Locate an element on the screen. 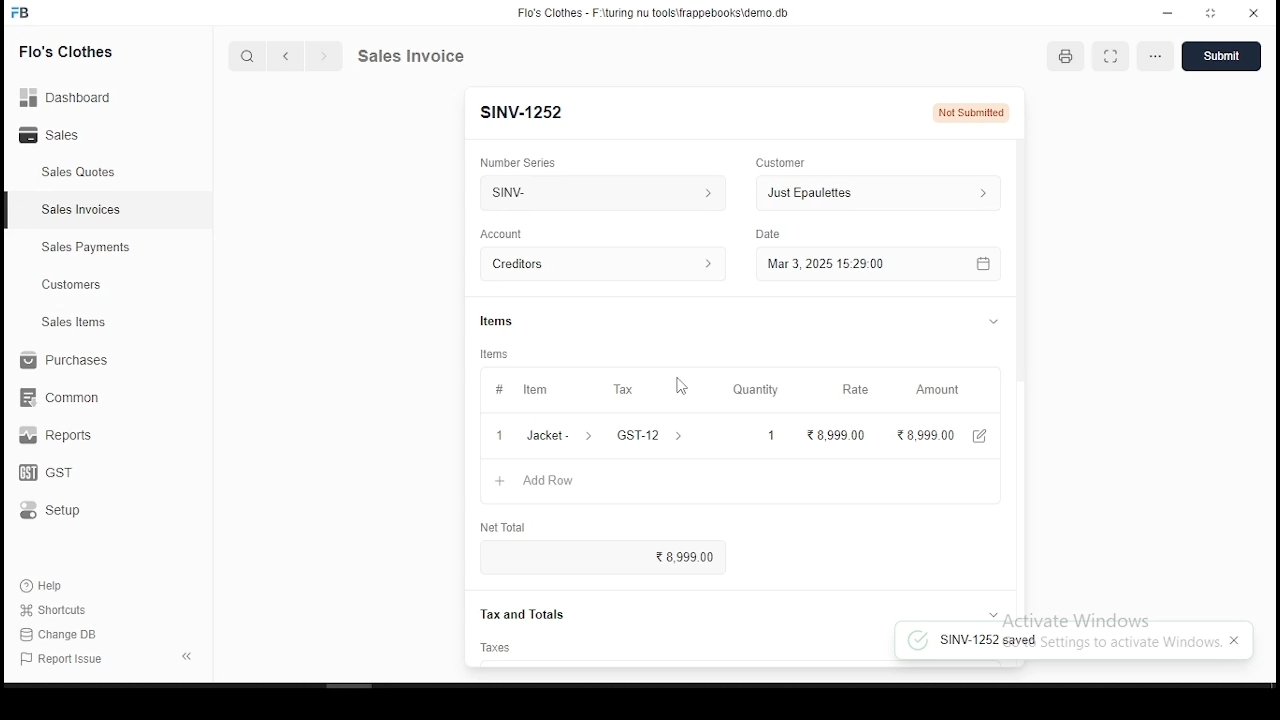  common is located at coordinates (67, 397).